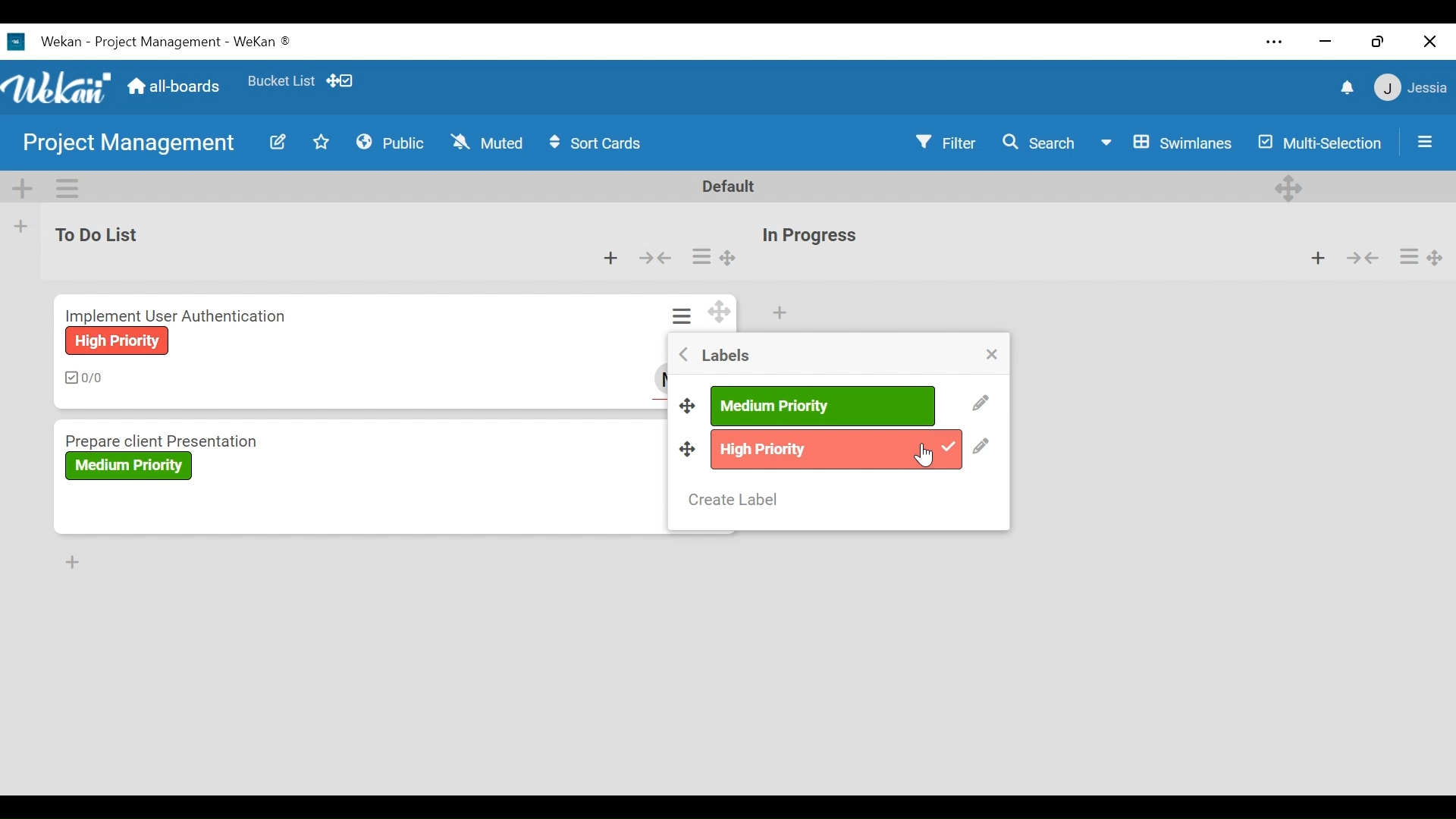 The height and width of the screenshot is (819, 1456). I want to click on Favorites, so click(281, 78).